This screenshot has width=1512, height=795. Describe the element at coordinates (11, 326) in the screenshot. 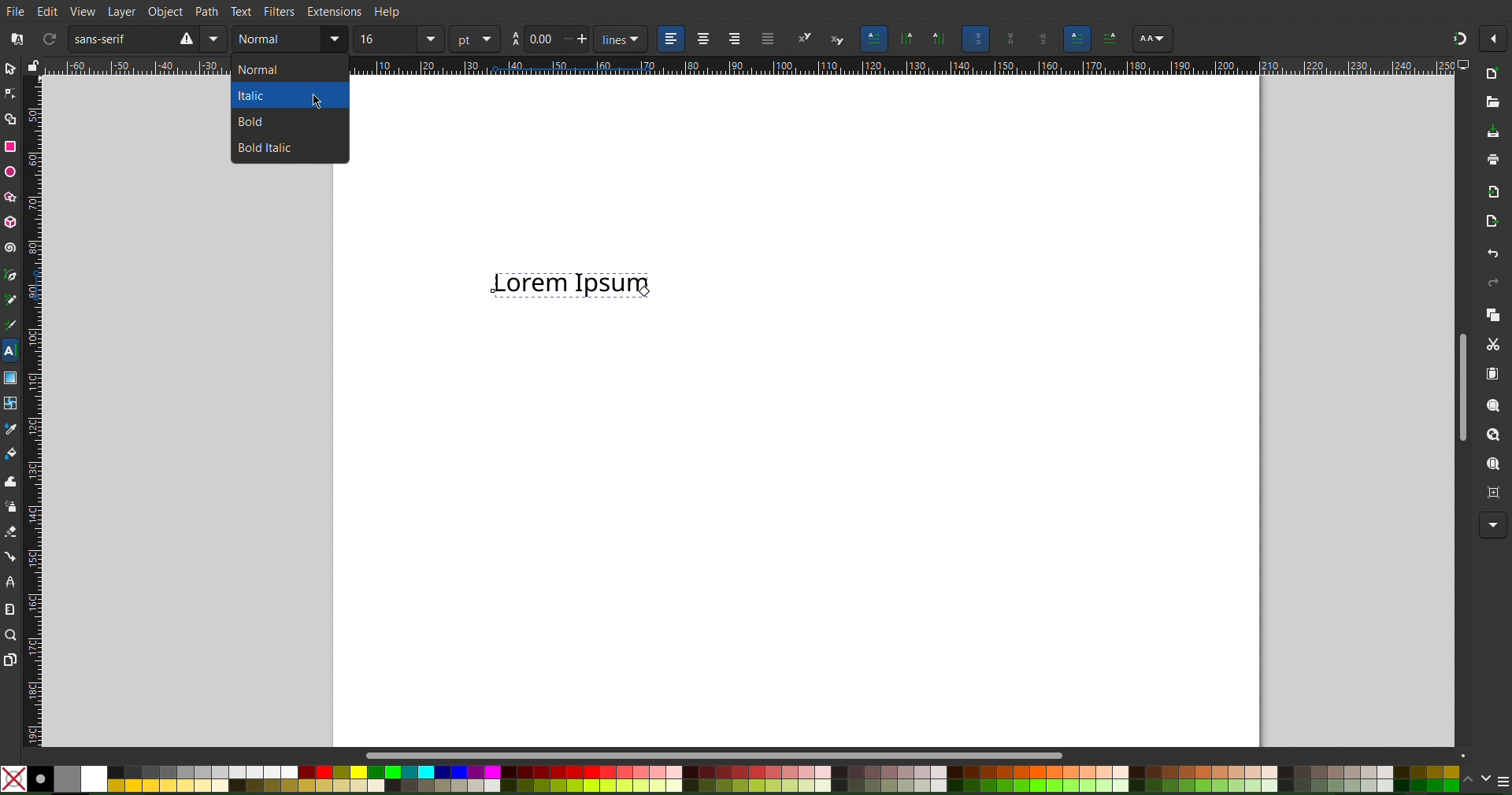

I see `Calligraphy Tool` at that location.